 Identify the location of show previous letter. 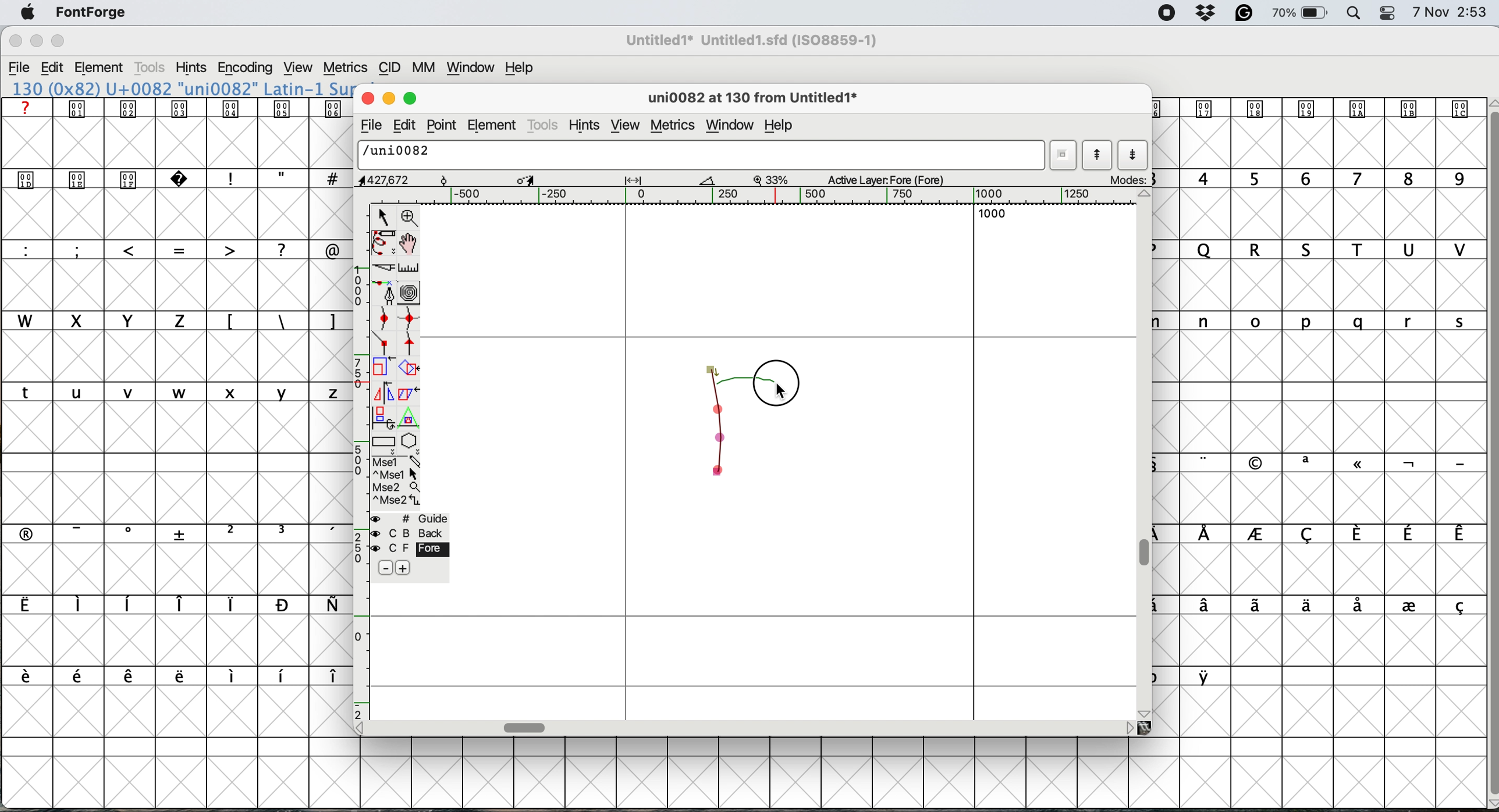
(1097, 155).